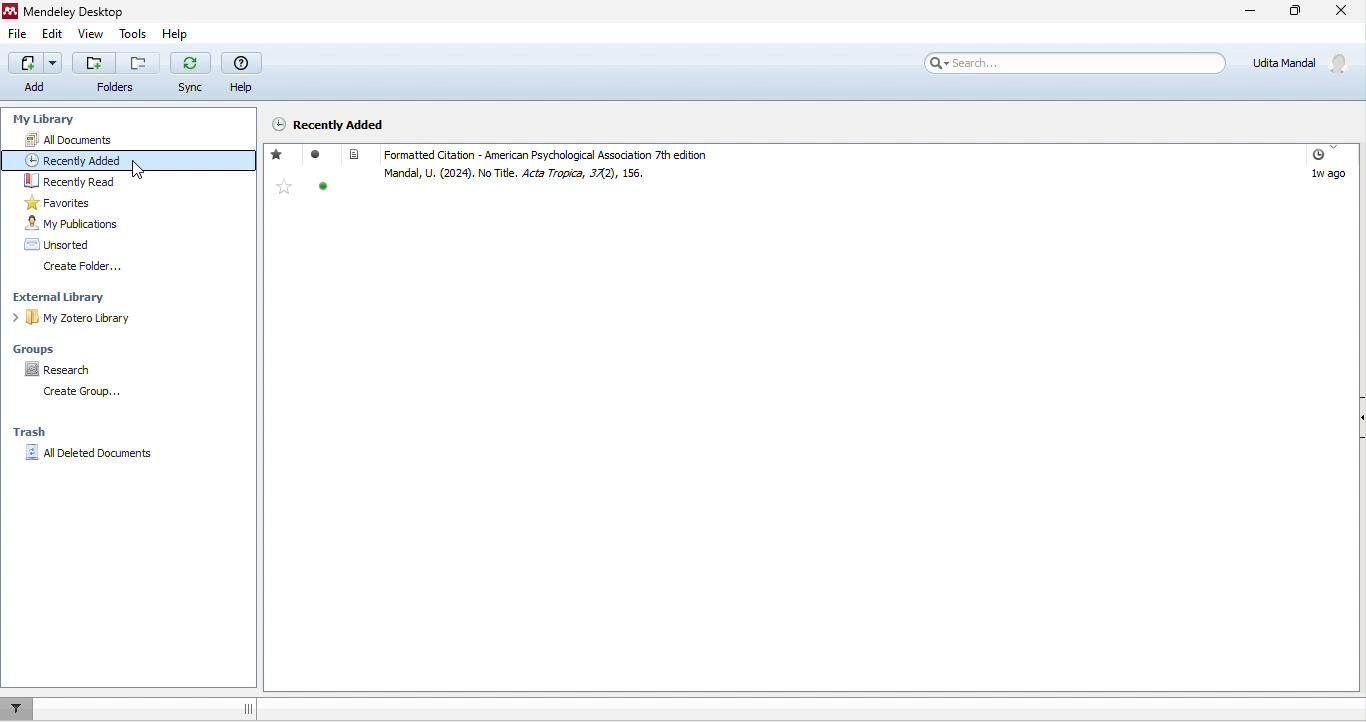  What do you see at coordinates (1315, 157) in the screenshot?
I see `time` at bounding box center [1315, 157].